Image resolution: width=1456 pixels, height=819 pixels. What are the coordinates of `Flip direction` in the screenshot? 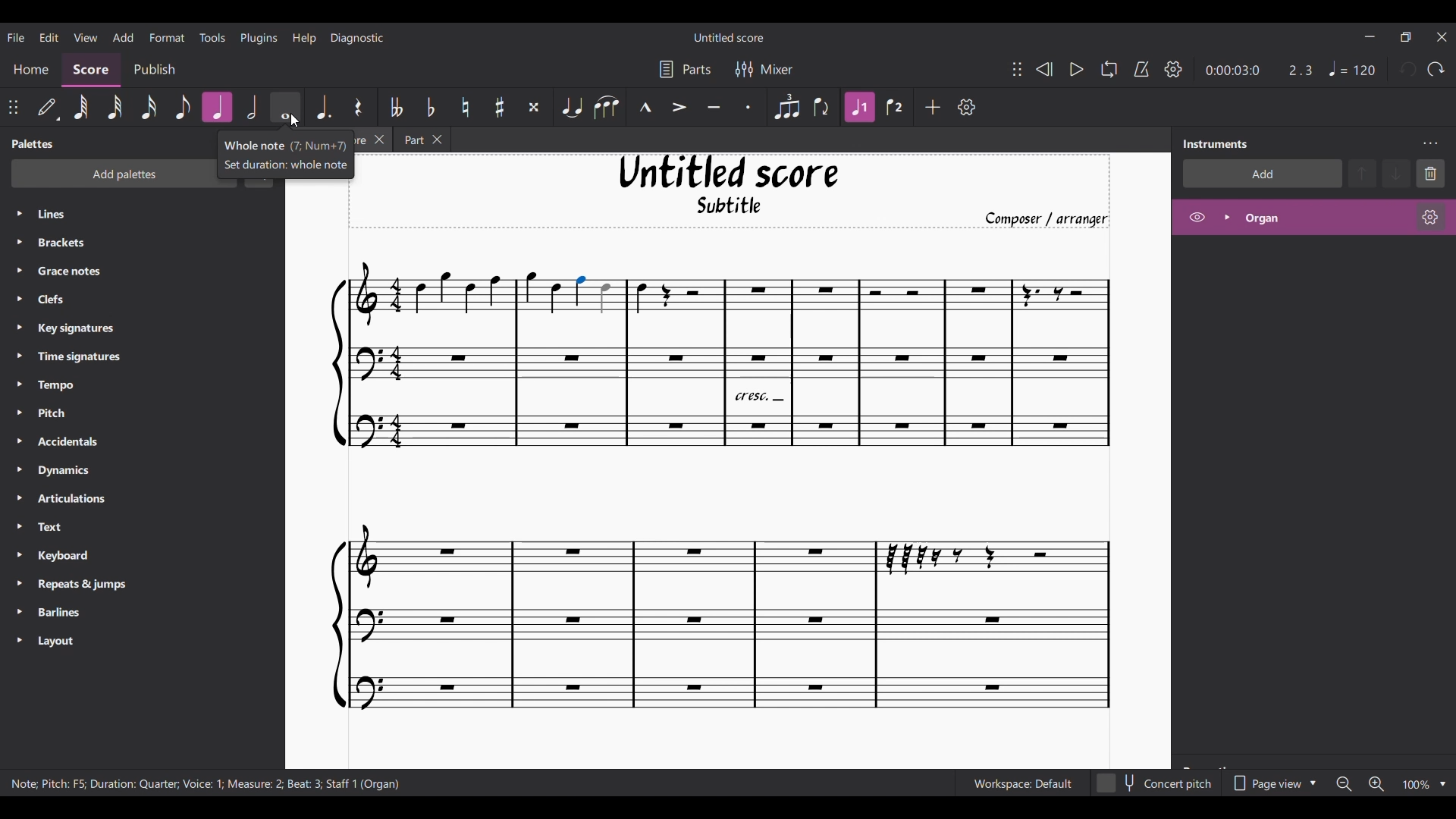 It's located at (822, 107).